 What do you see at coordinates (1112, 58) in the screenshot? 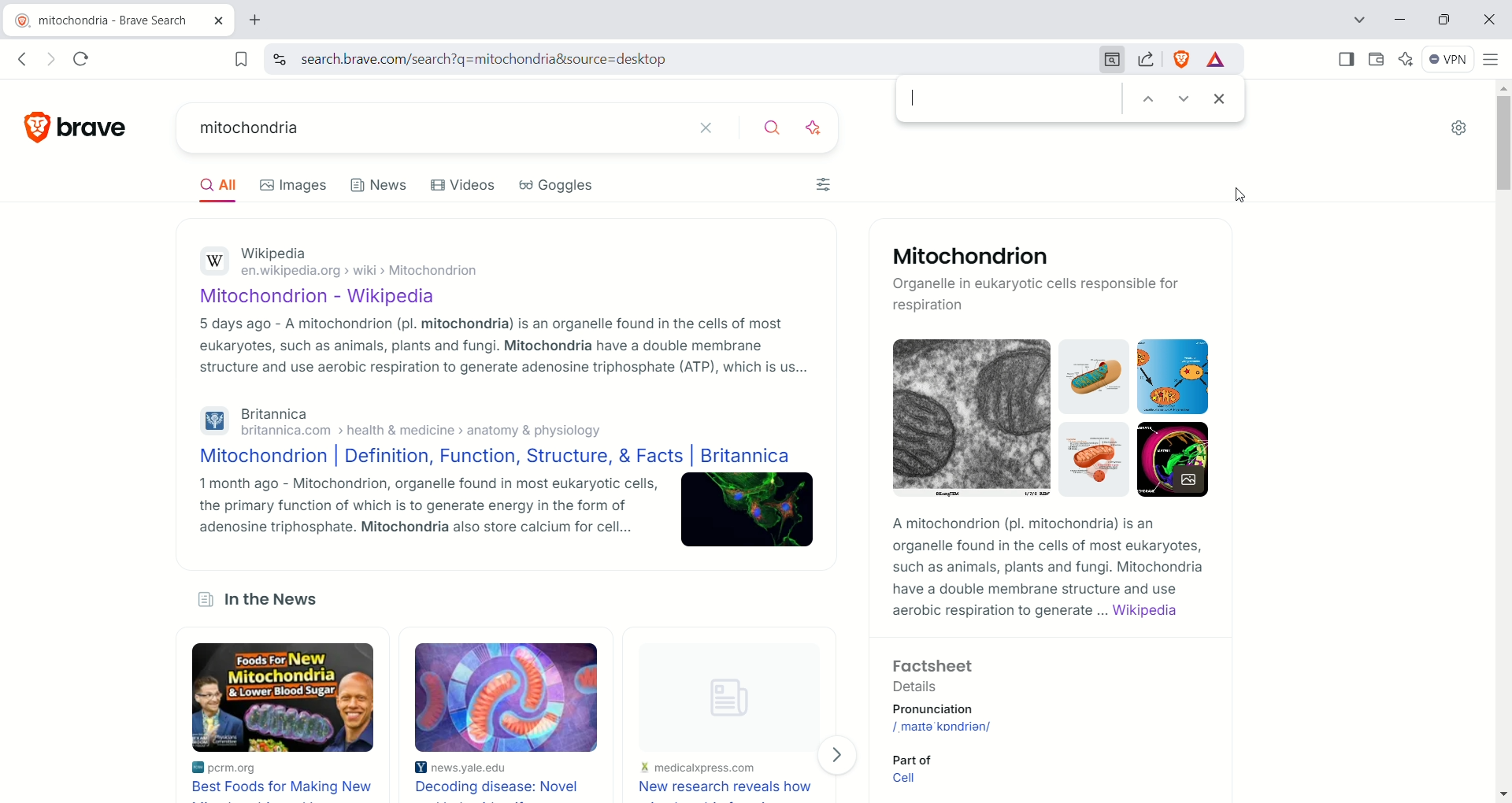
I see `find` at bounding box center [1112, 58].